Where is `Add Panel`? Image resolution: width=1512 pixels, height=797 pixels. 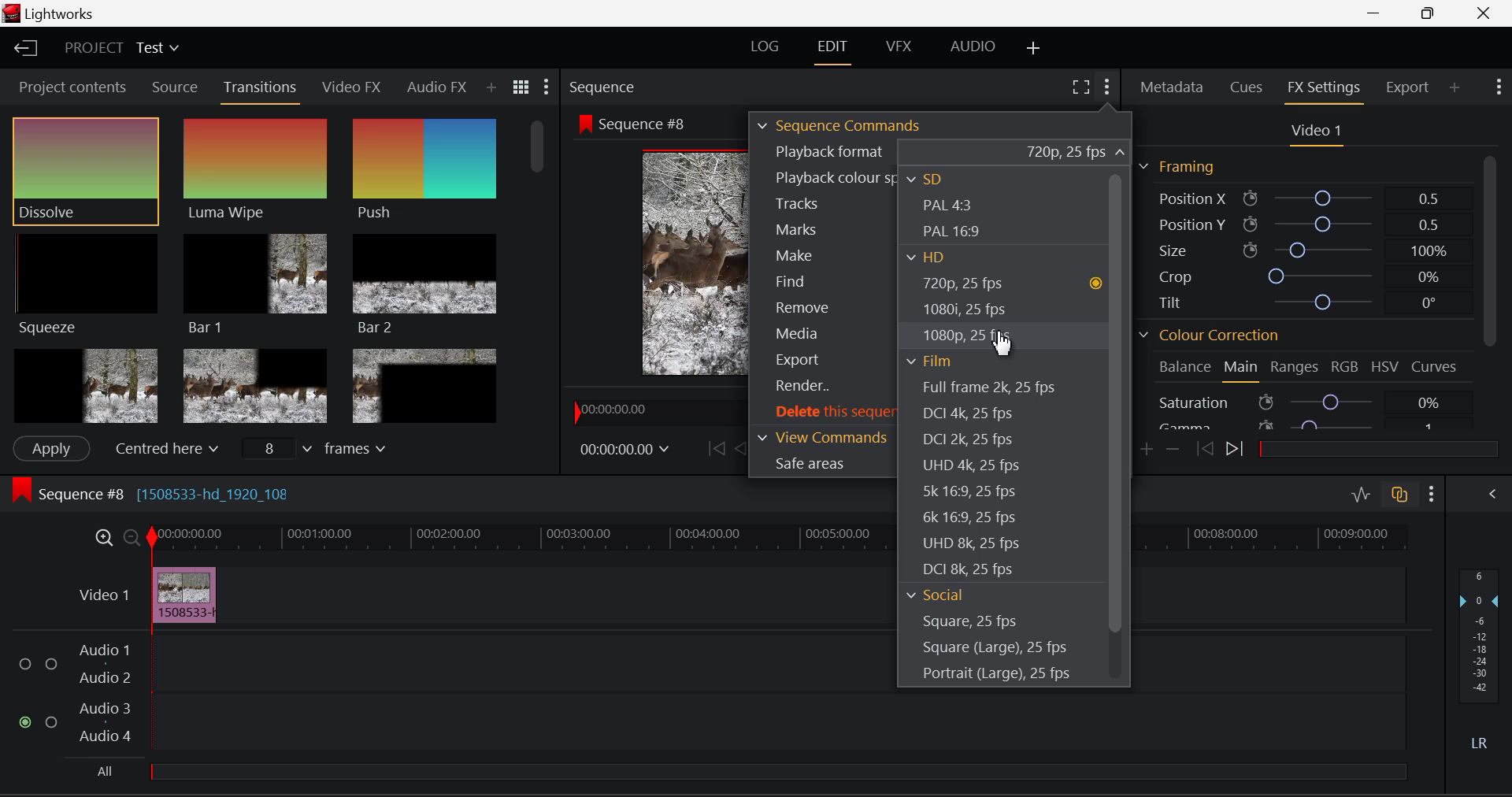 Add Panel is located at coordinates (492, 89).